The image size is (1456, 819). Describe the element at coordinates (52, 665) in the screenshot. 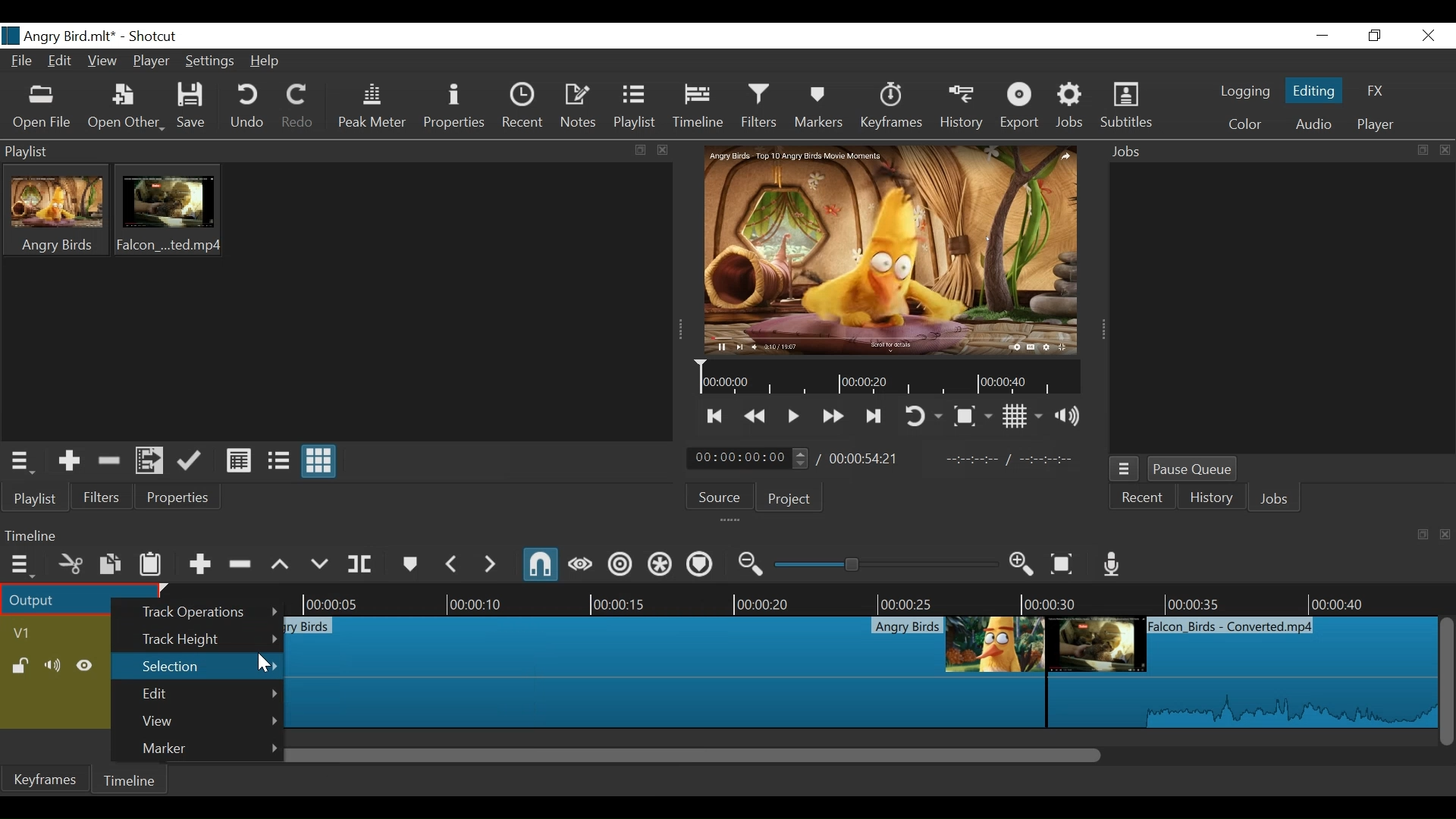

I see `Mute` at that location.